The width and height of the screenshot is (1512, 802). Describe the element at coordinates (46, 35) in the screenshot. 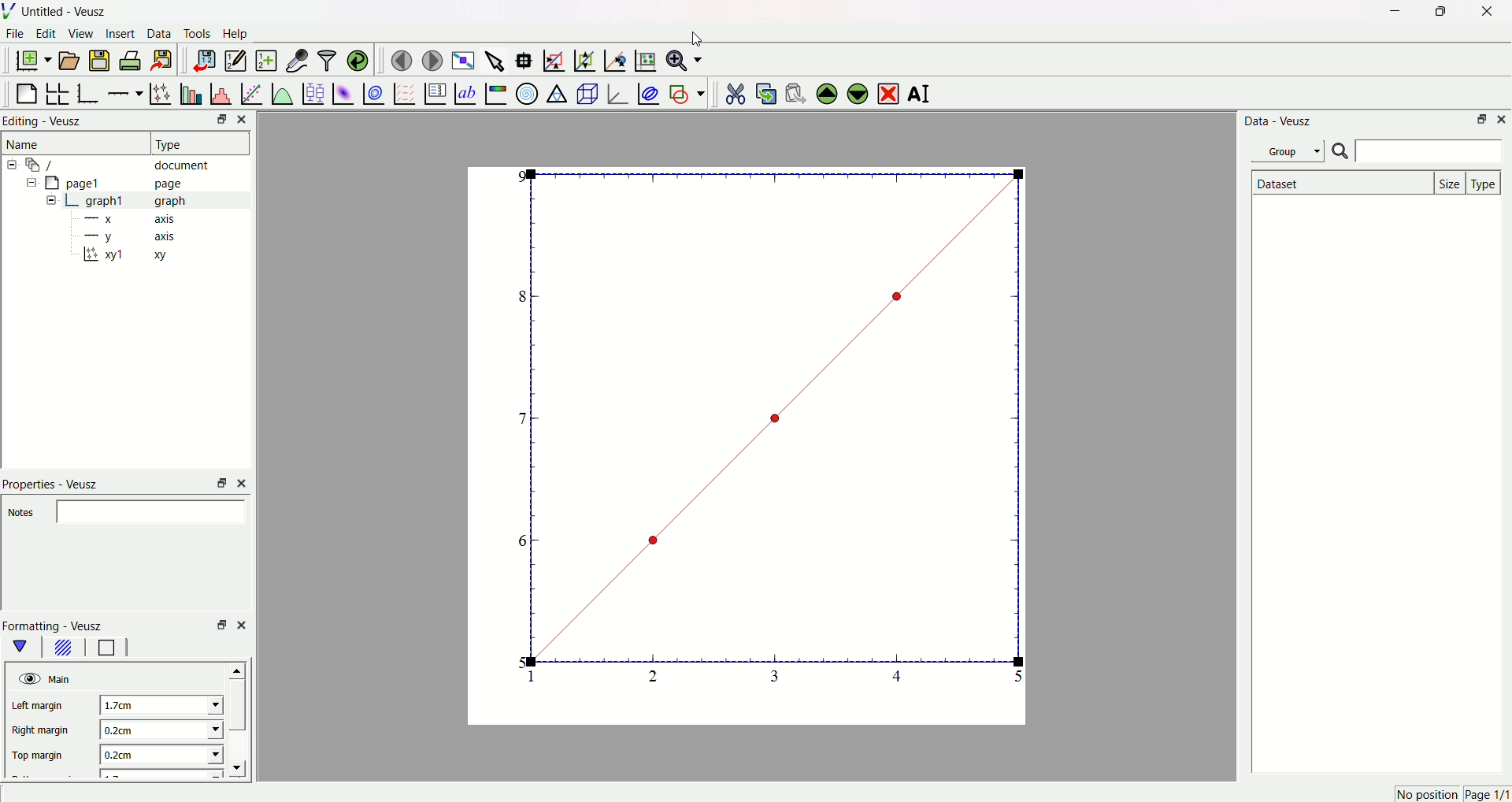

I see `Edit` at that location.